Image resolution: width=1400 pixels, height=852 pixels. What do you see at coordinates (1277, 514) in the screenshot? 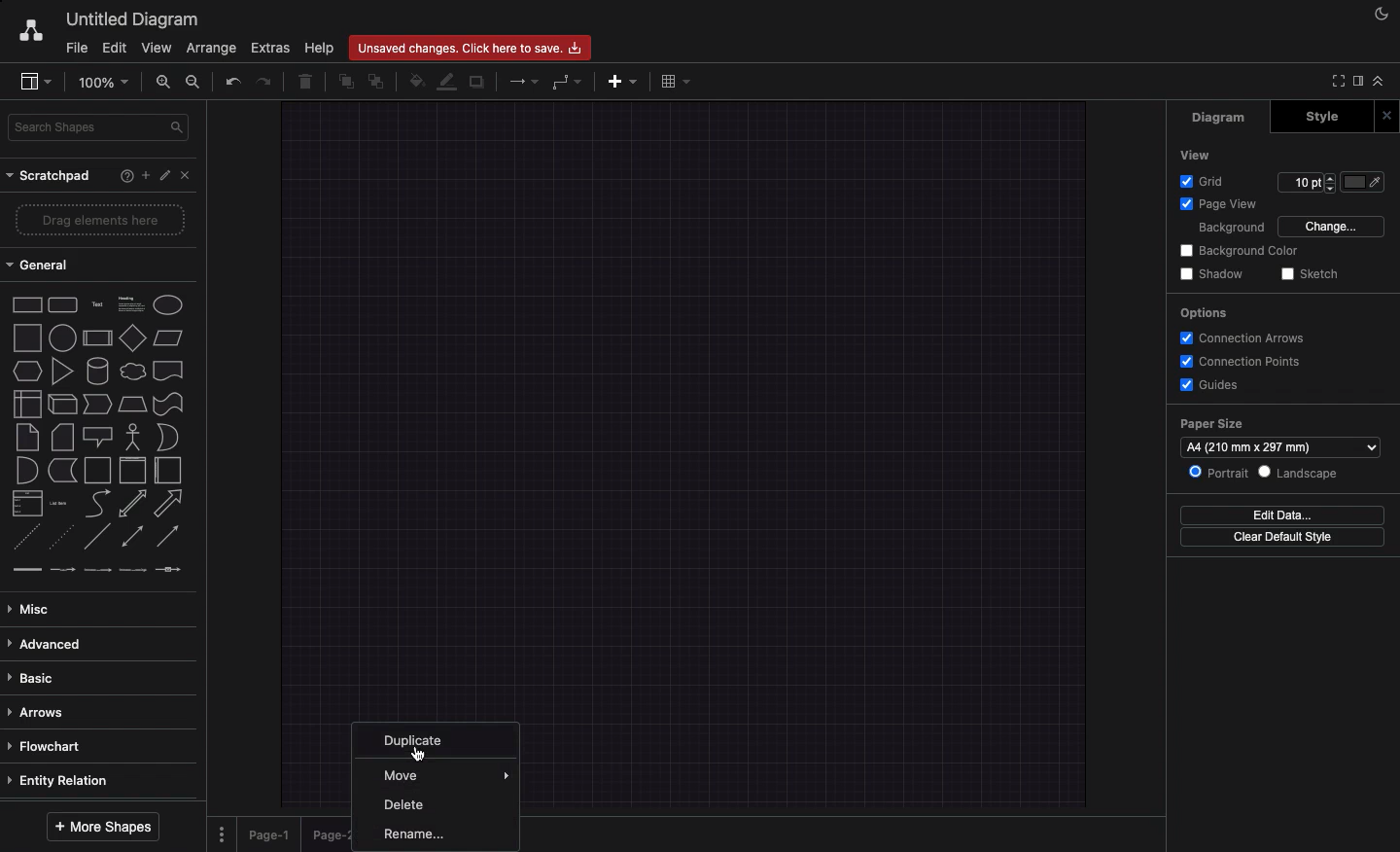
I see `Edit data` at bounding box center [1277, 514].